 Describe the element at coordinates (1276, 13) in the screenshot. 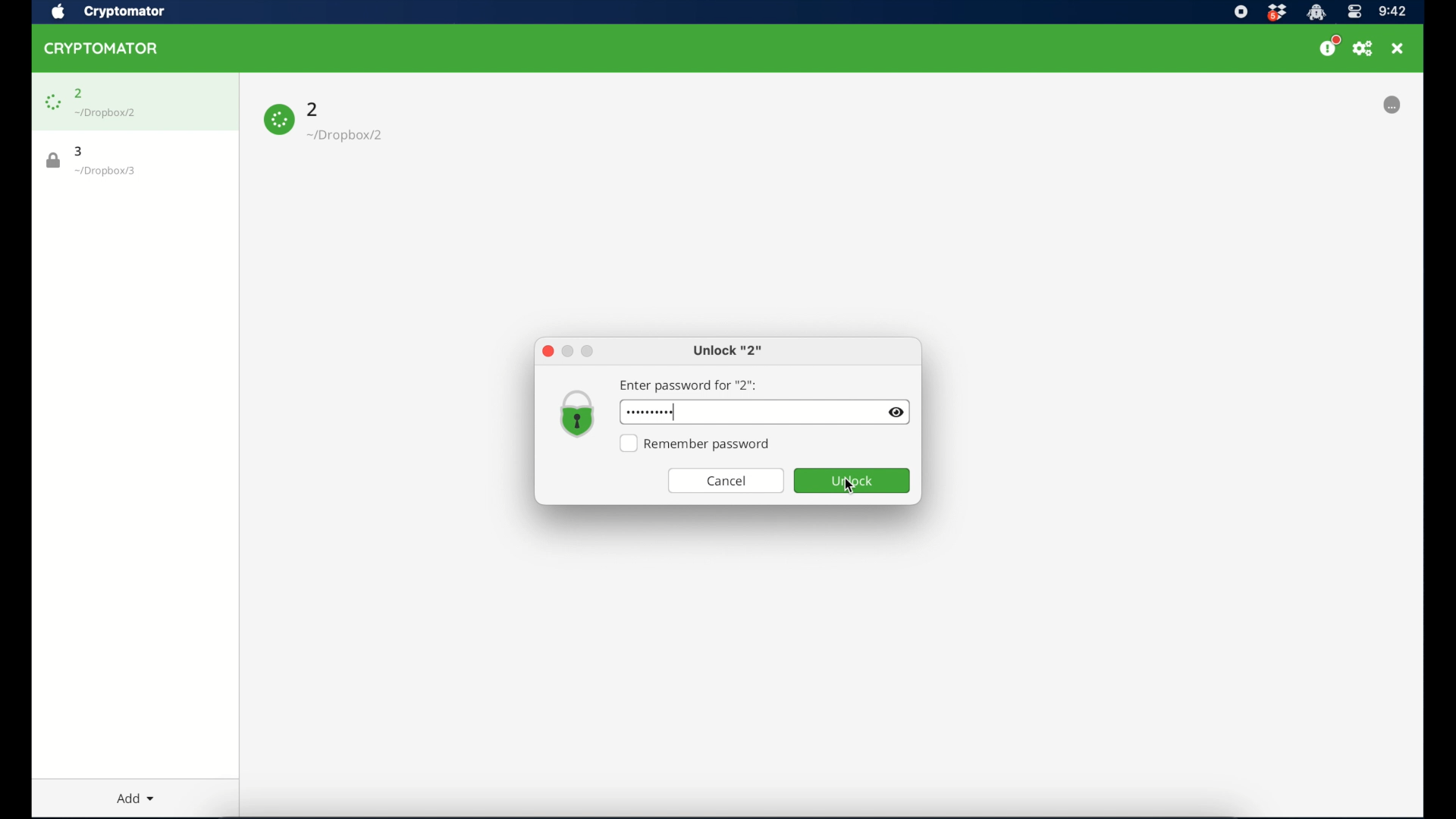

I see `dropbox icon` at that location.